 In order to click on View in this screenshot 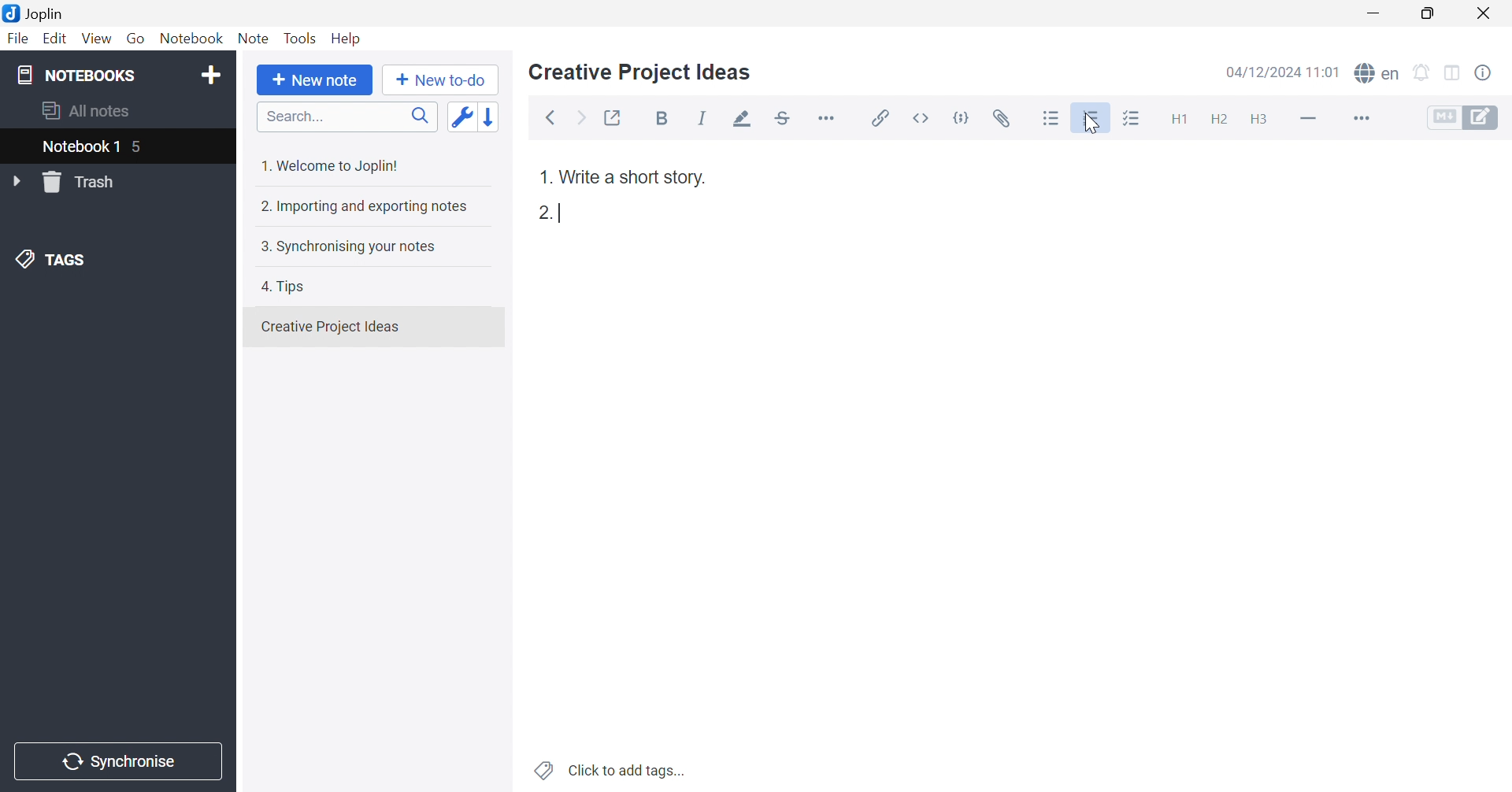, I will do `click(95, 39)`.